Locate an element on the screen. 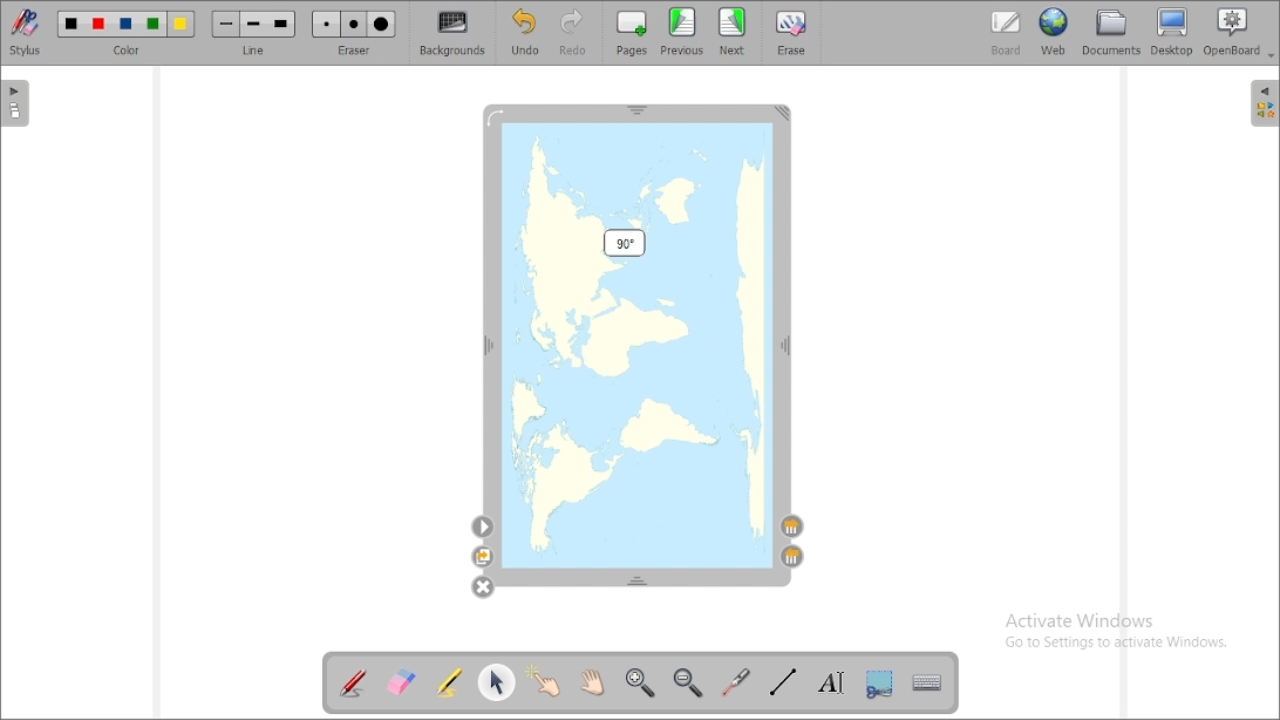  line is located at coordinates (254, 33).